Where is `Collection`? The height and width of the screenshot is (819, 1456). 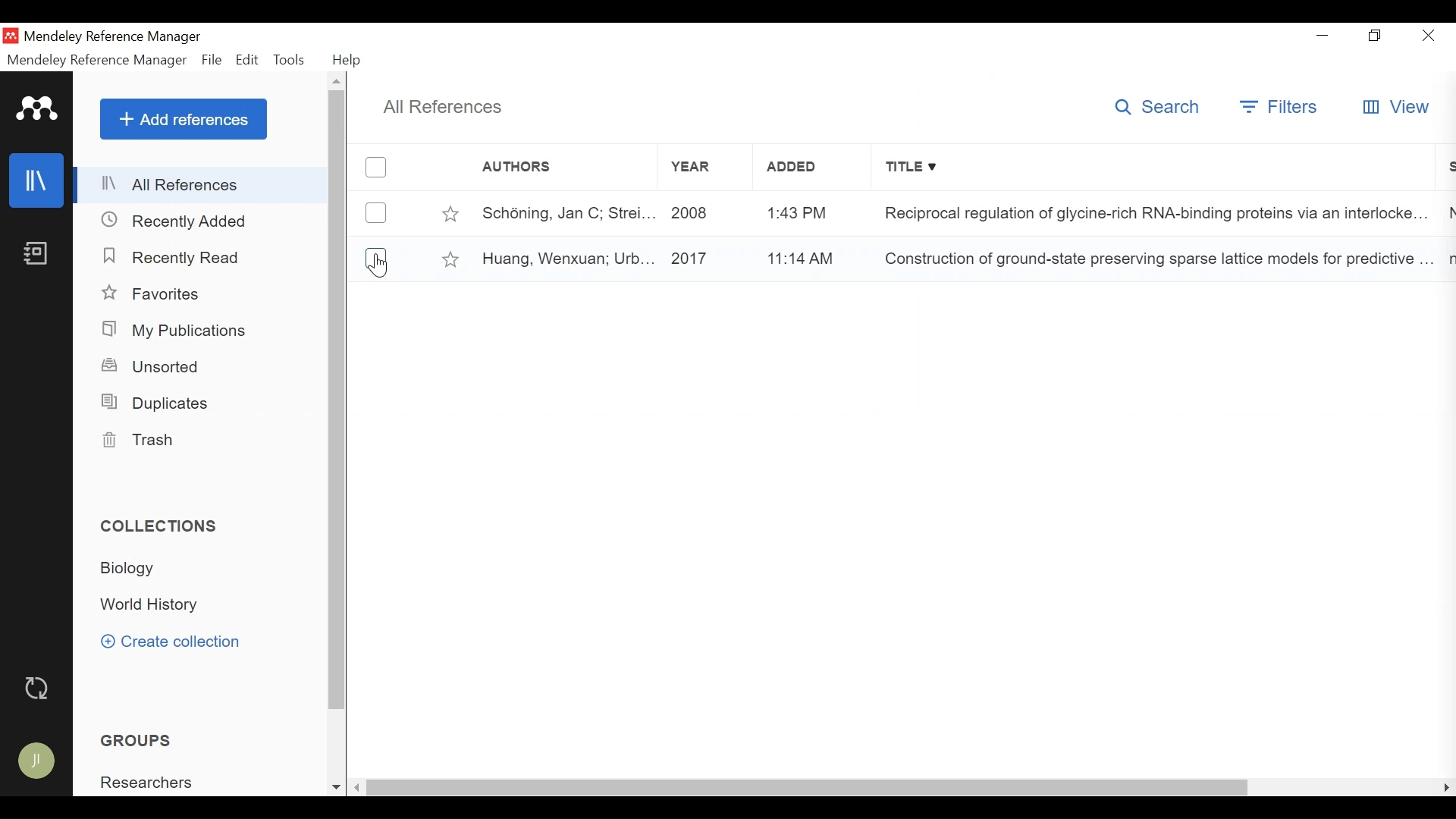
Collection is located at coordinates (165, 605).